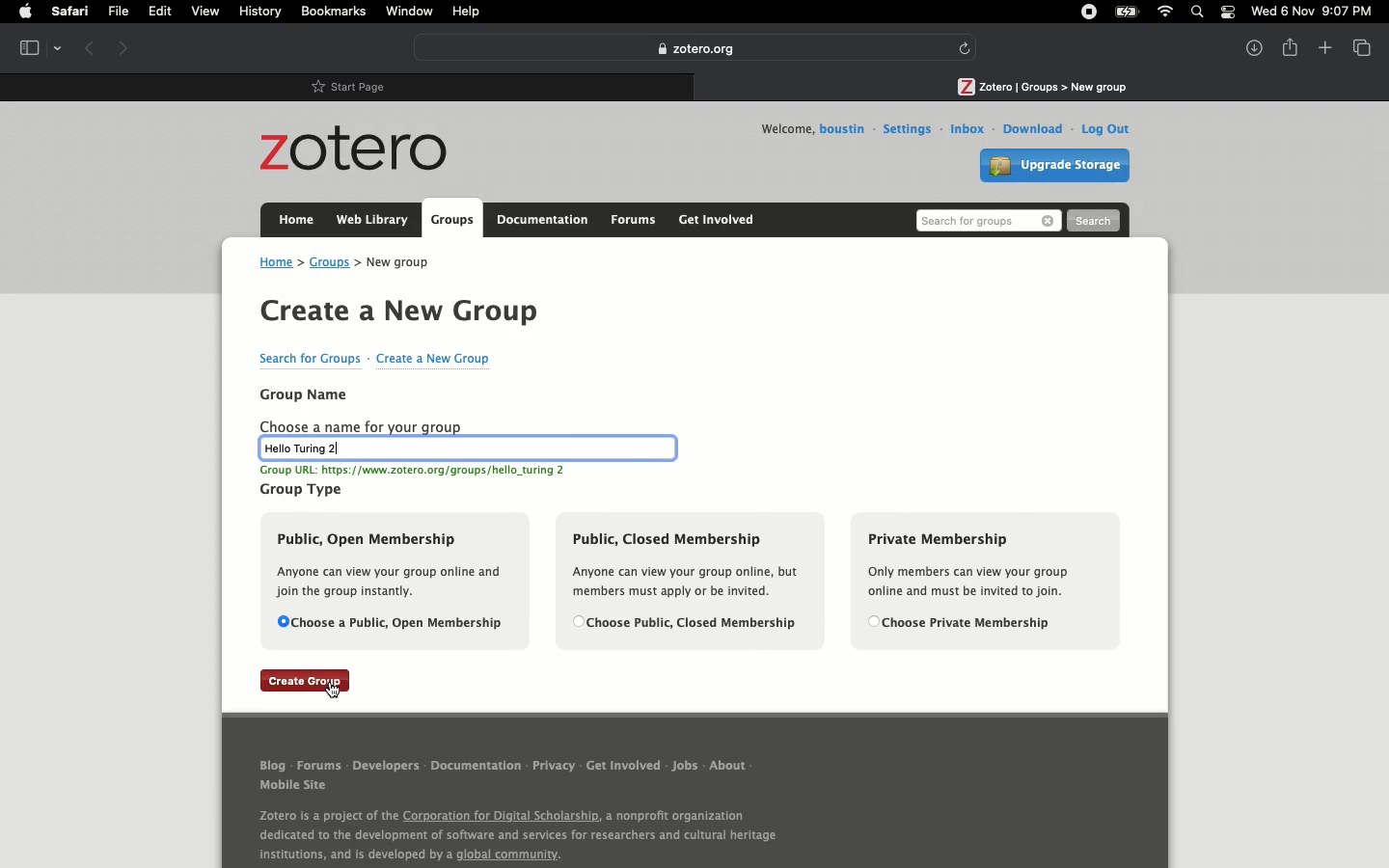 This screenshot has width=1389, height=868. Describe the element at coordinates (450, 220) in the screenshot. I see `Groups` at that location.